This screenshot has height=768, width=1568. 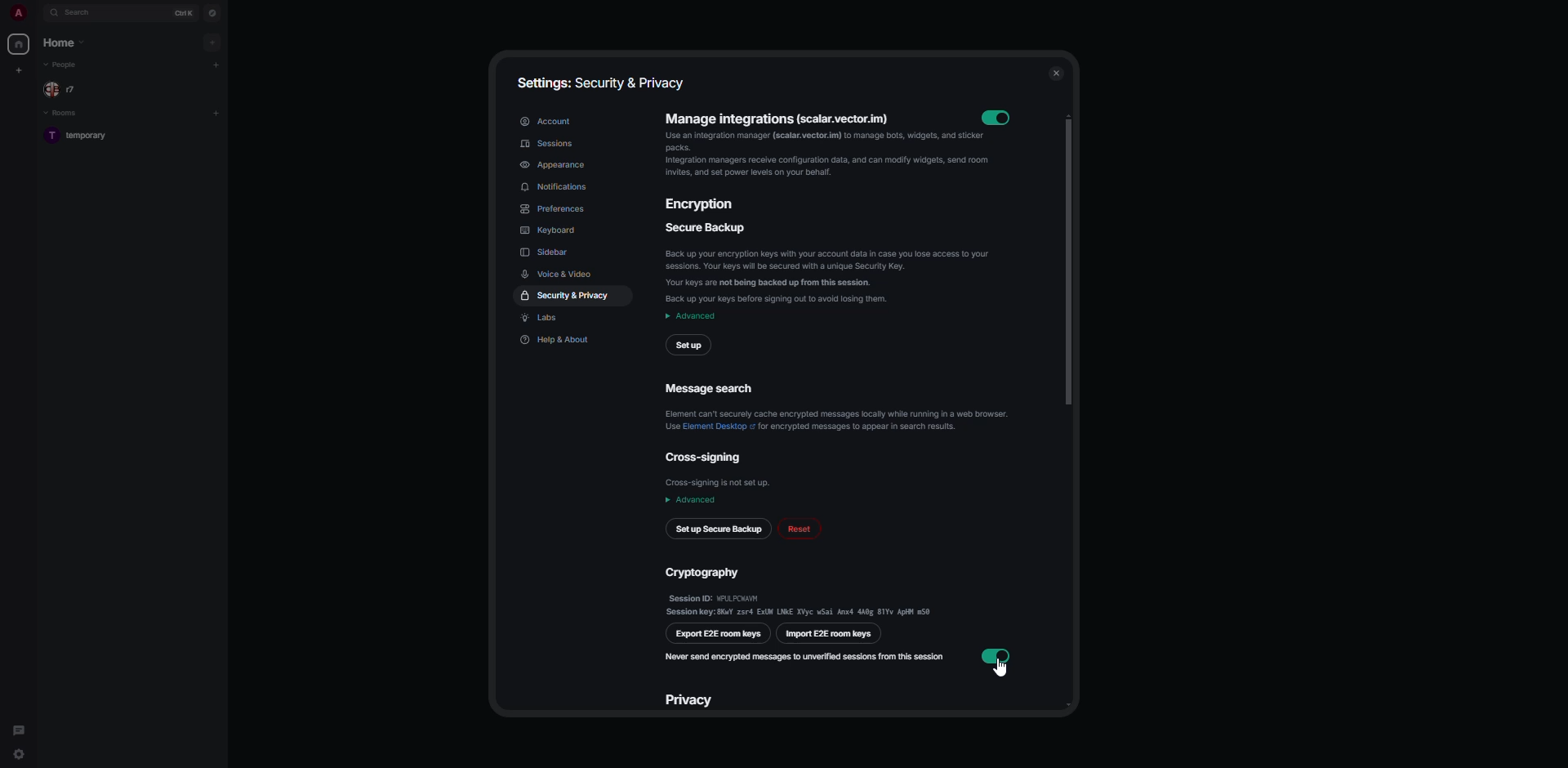 I want to click on never send encrypted messages to unverified sessions from this session, so click(x=807, y=656).